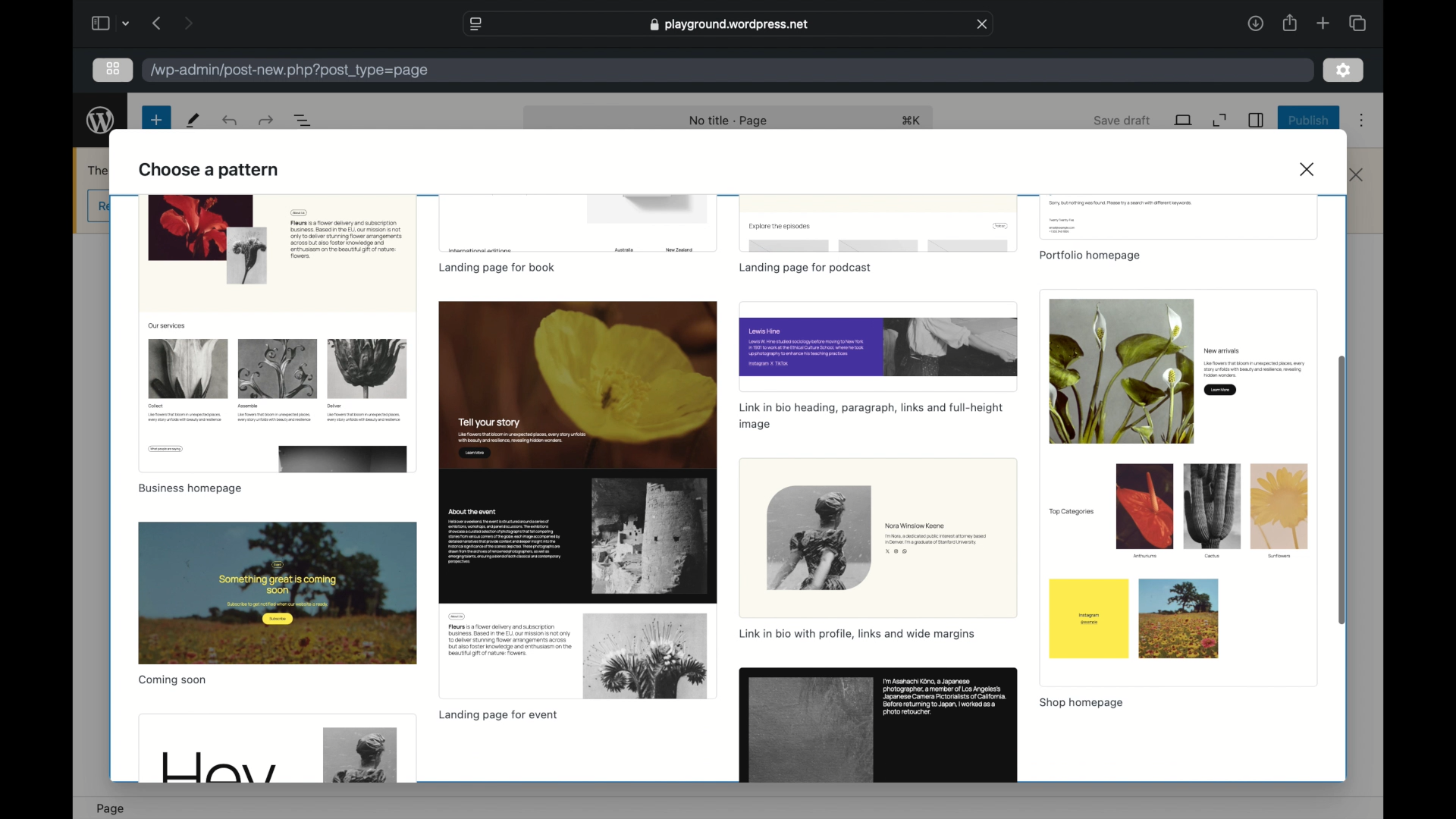 This screenshot has height=819, width=1456. I want to click on preview, so click(877, 726).